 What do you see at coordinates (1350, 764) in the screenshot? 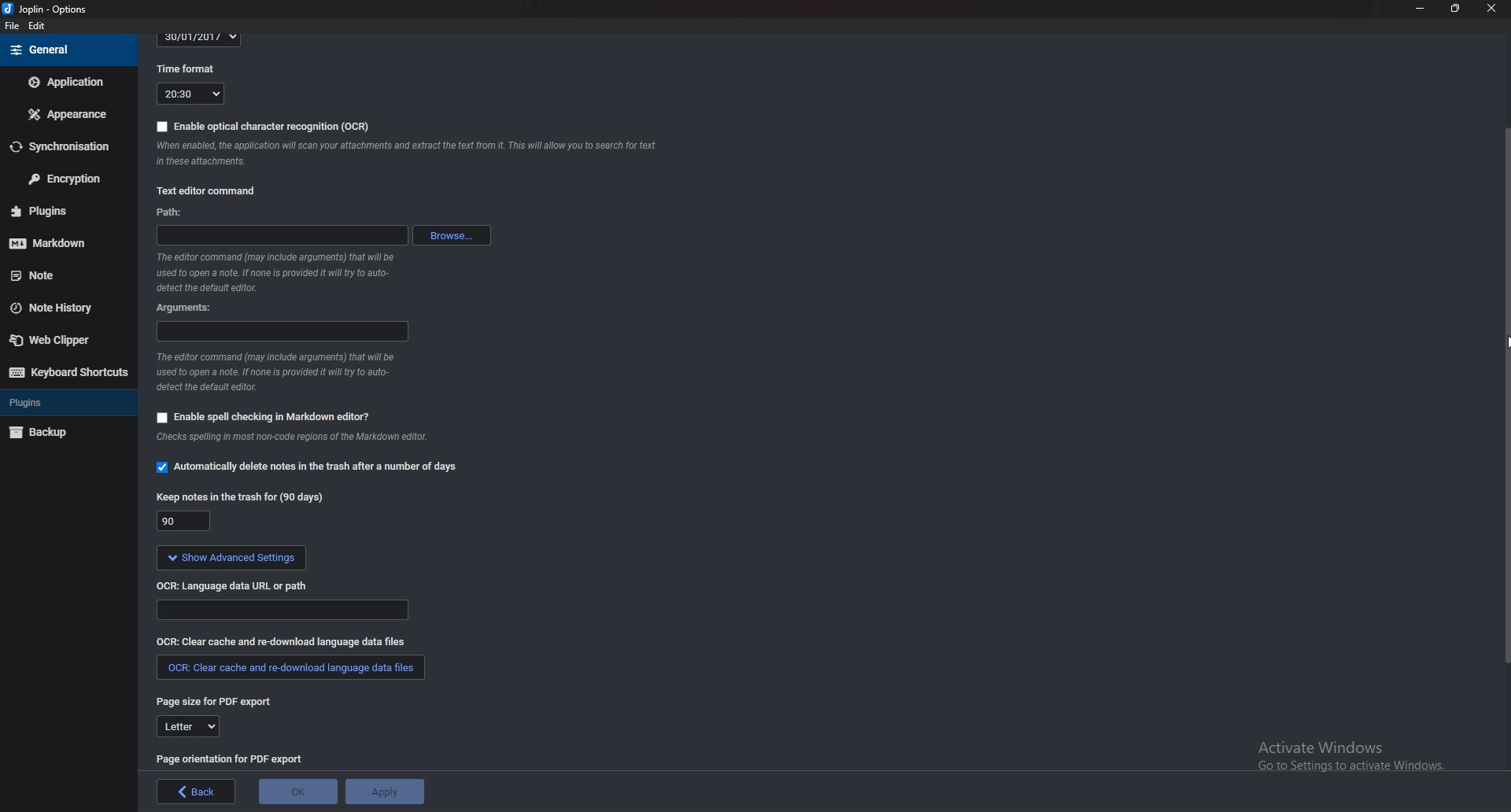
I see `activate windows` at bounding box center [1350, 764].